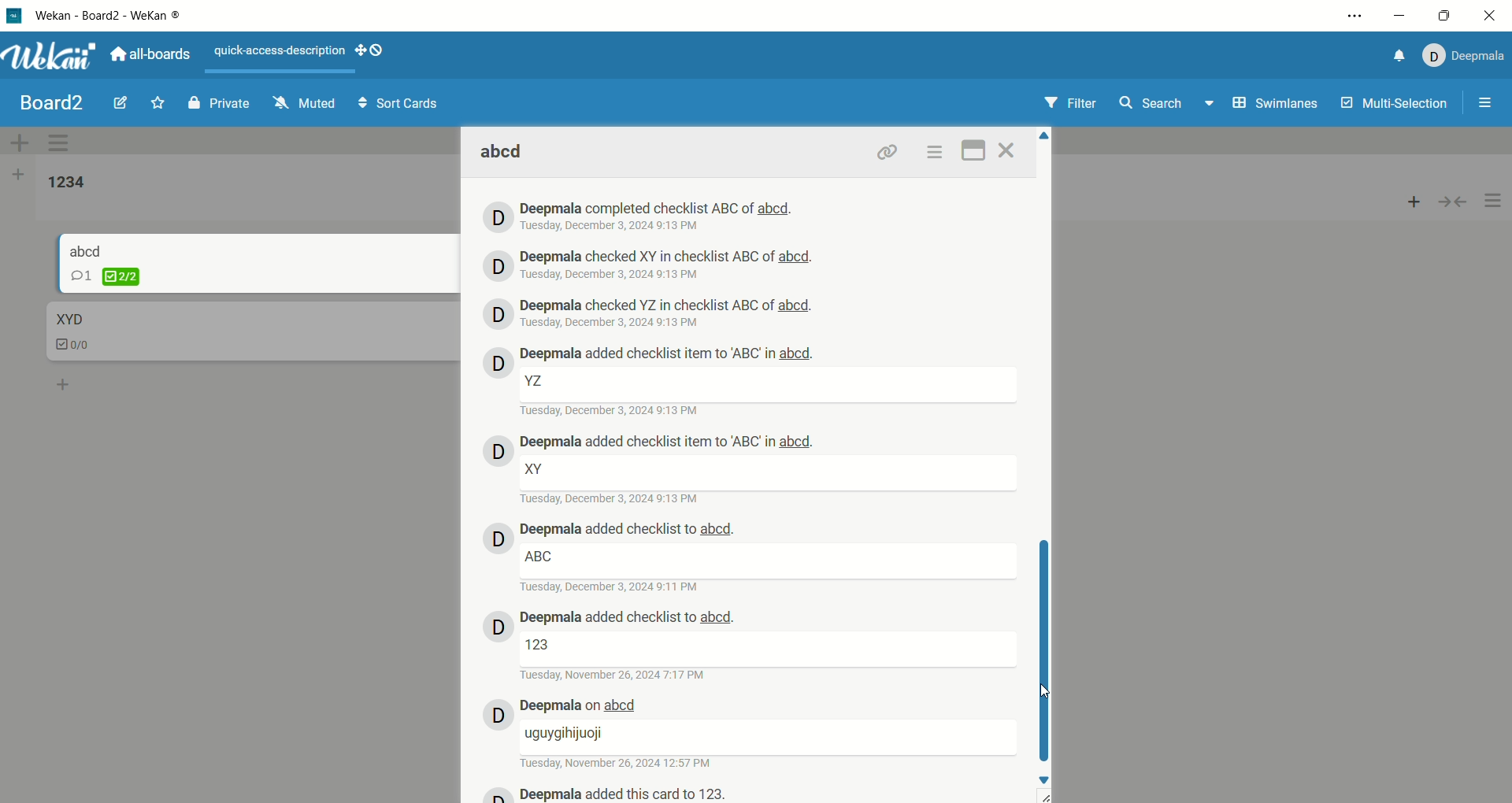  What do you see at coordinates (106, 276) in the screenshot?
I see `checklist` at bounding box center [106, 276].